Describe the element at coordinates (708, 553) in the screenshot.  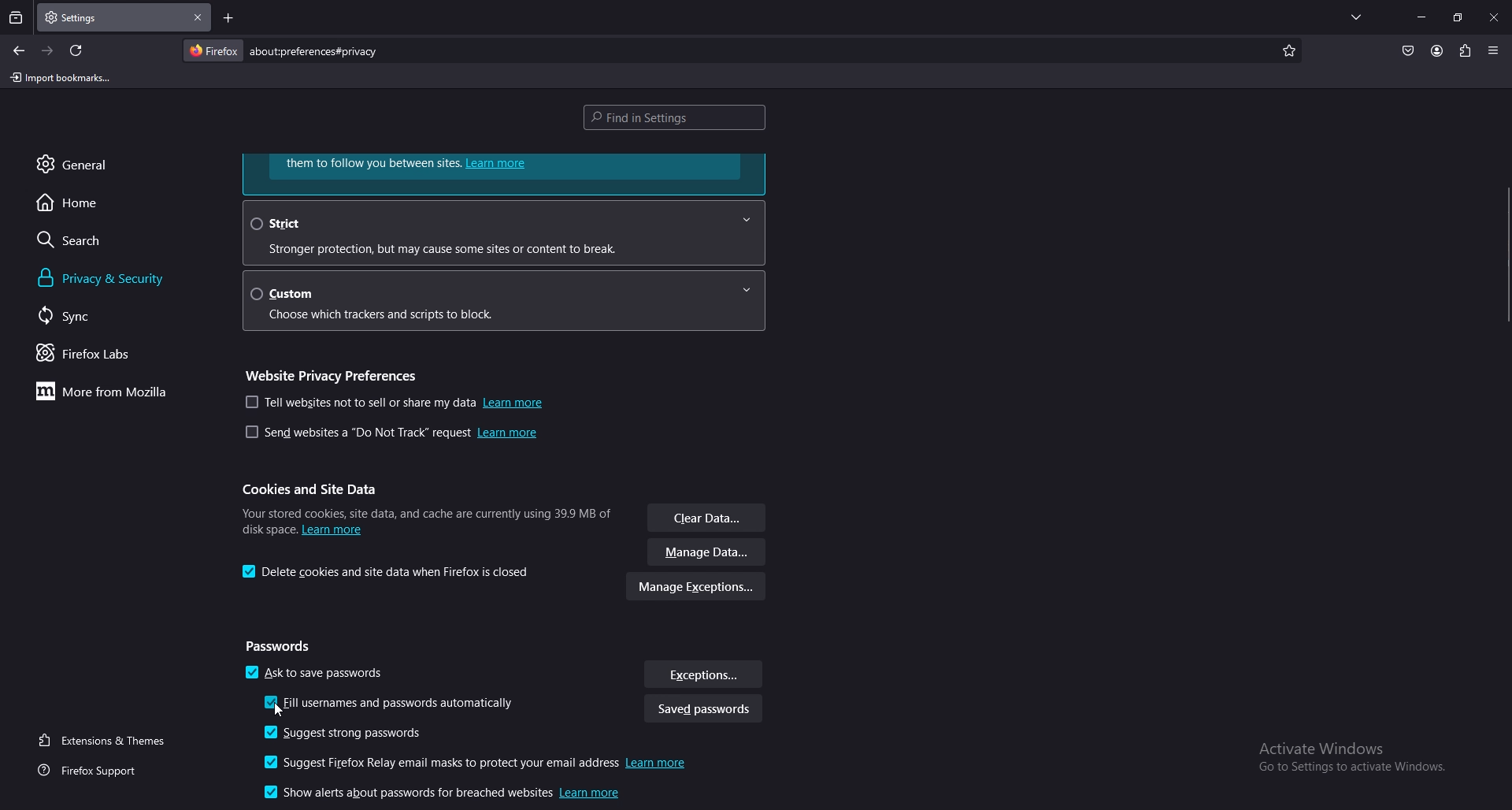
I see `manage data` at that location.